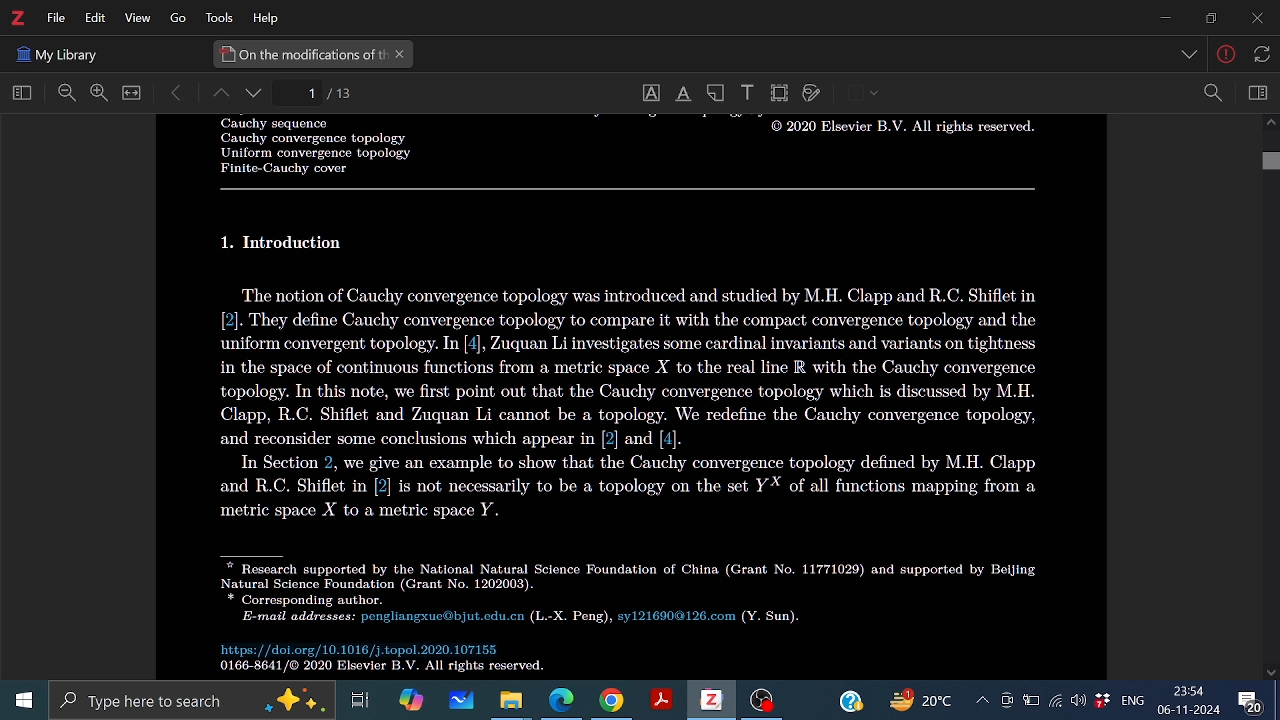 Image resolution: width=1280 pixels, height=720 pixels. What do you see at coordinates (746, 91) in the screenshot?
I see `Add text` at bounding box center [746, 91].